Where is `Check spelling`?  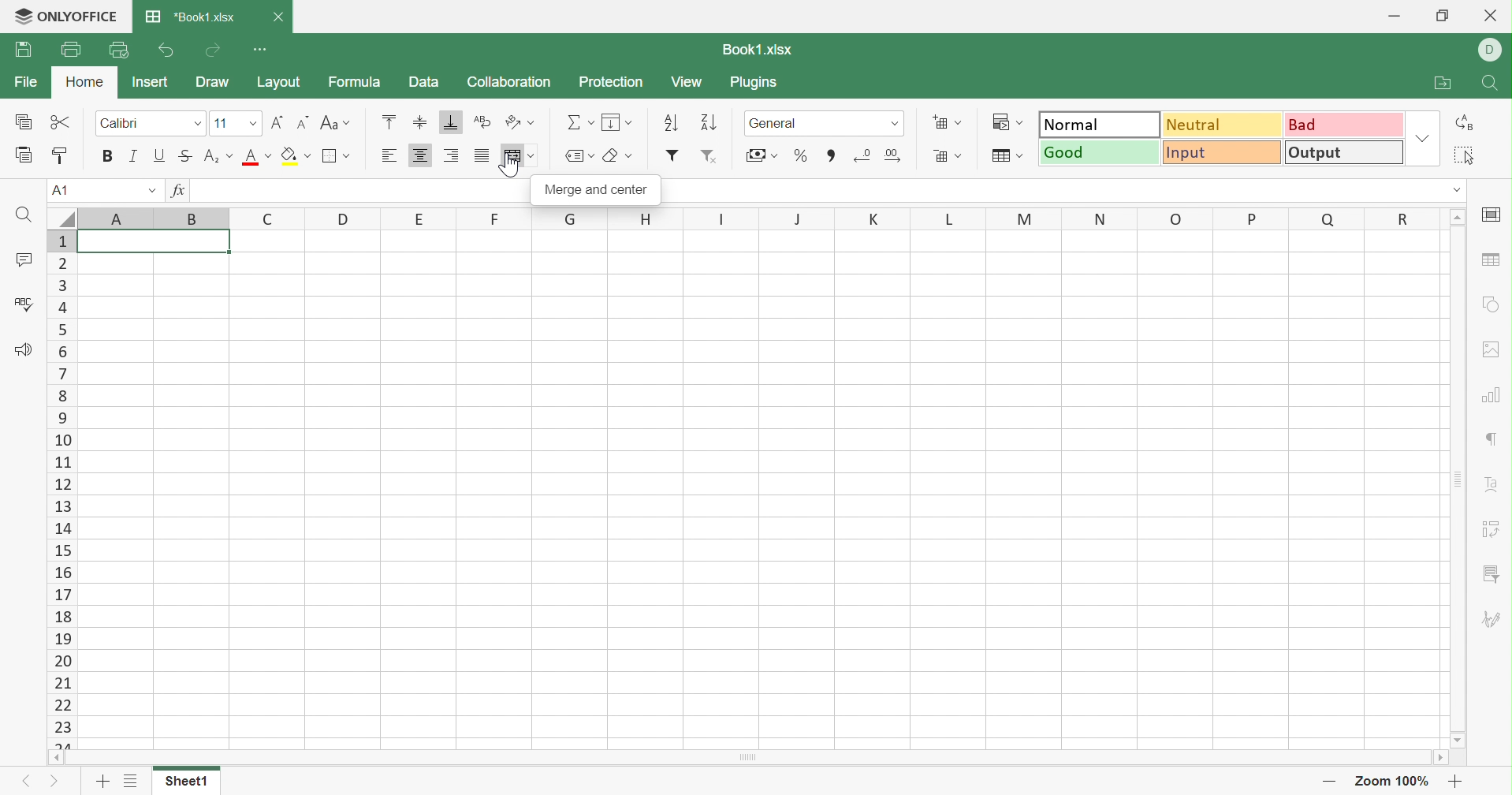 Check spelling is located at coordinates (21, 305).